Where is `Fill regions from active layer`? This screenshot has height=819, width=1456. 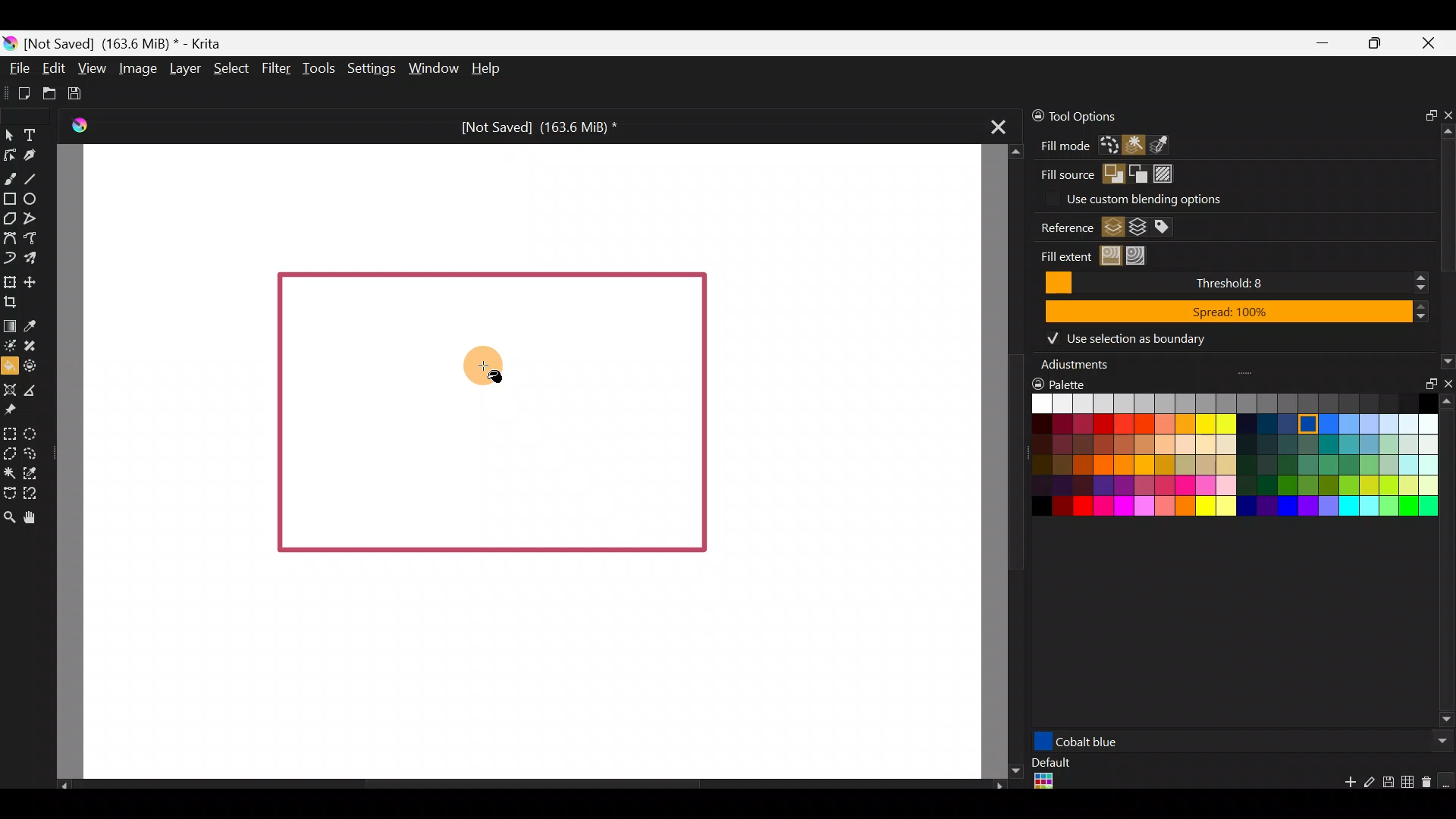
Fill regions from active layer is located at coordinates (1112, 227).